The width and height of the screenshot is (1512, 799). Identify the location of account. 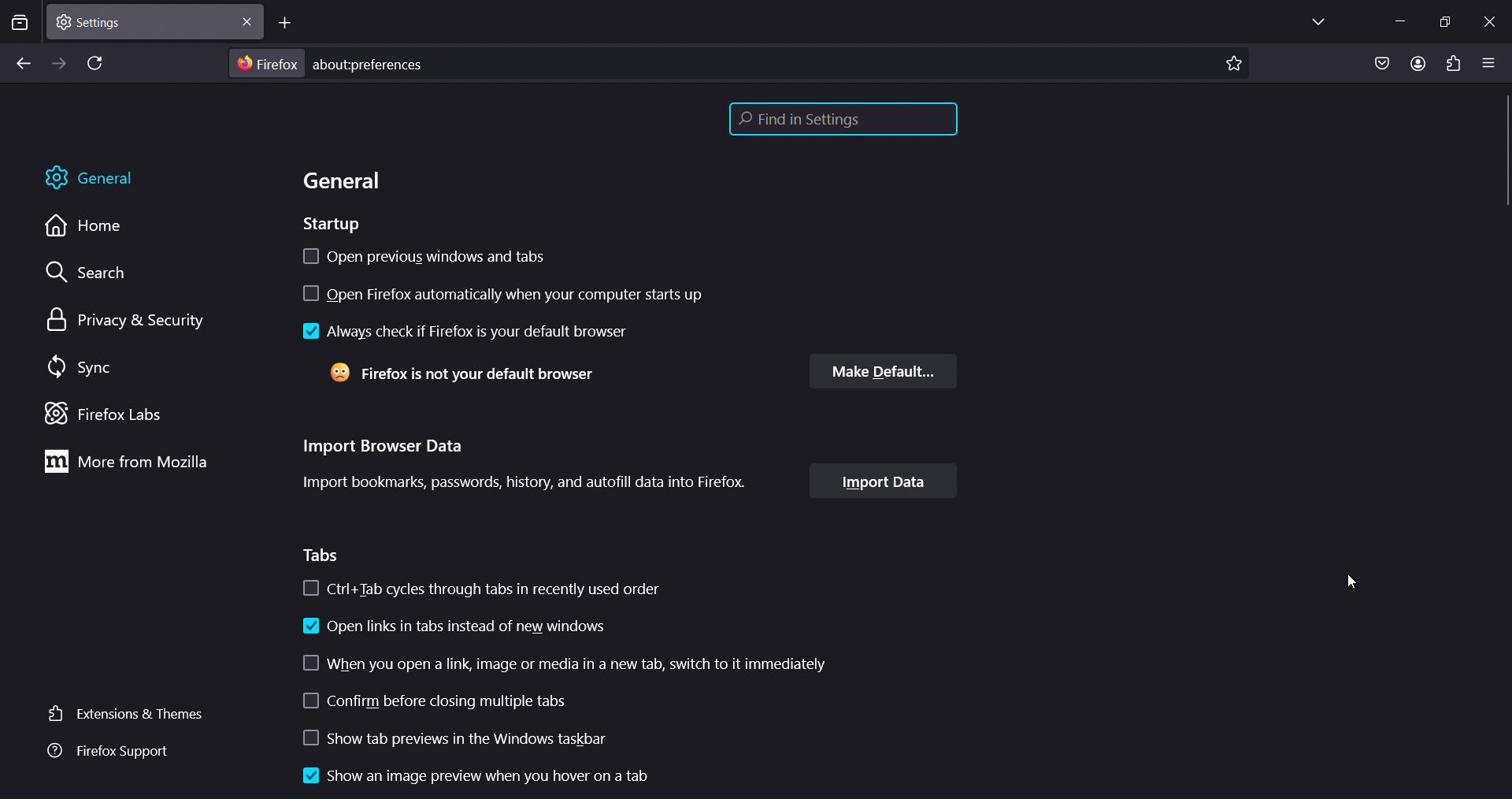
(1419, 63).